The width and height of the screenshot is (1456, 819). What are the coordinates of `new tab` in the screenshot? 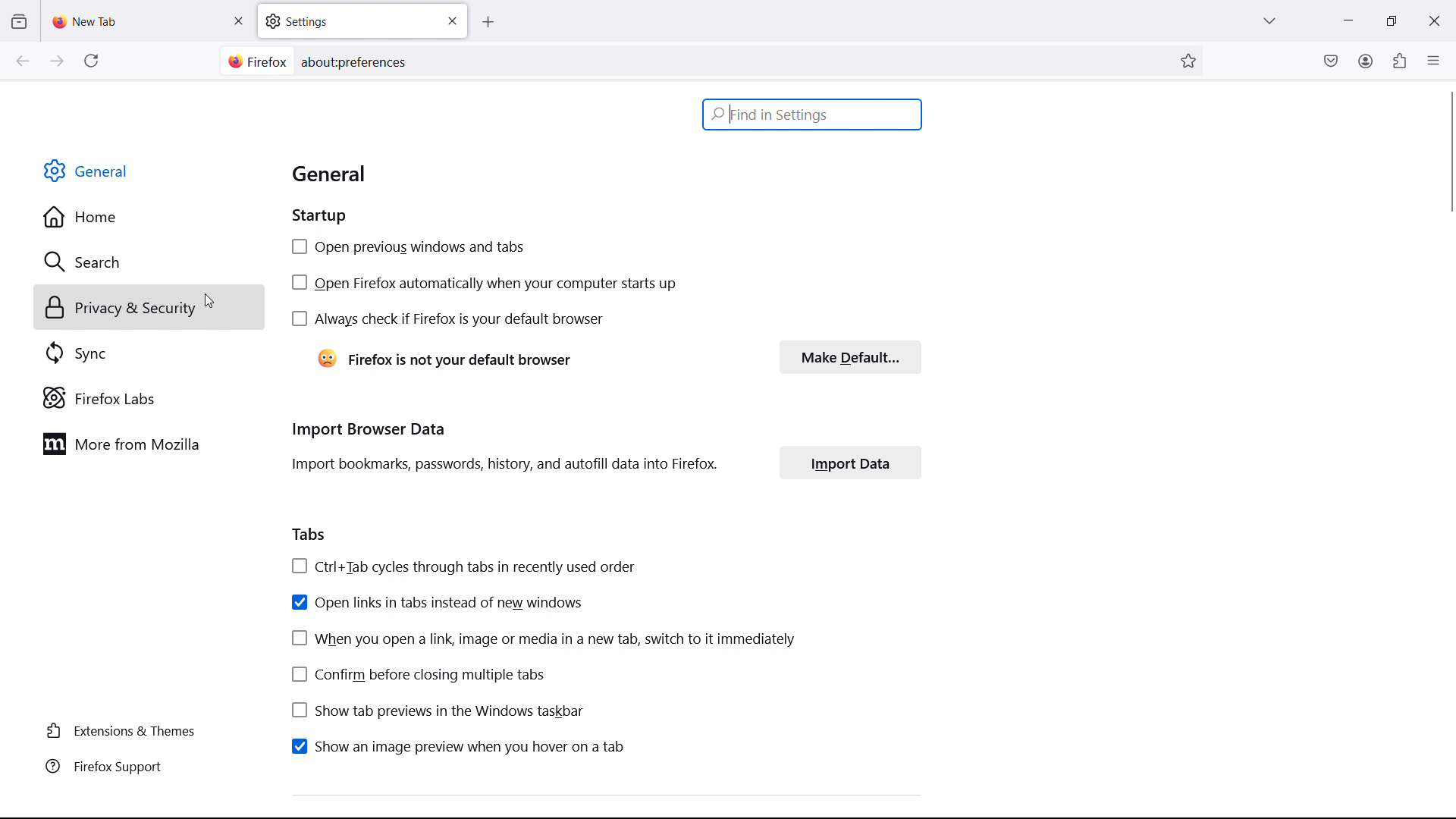 It's located at (87, 21).